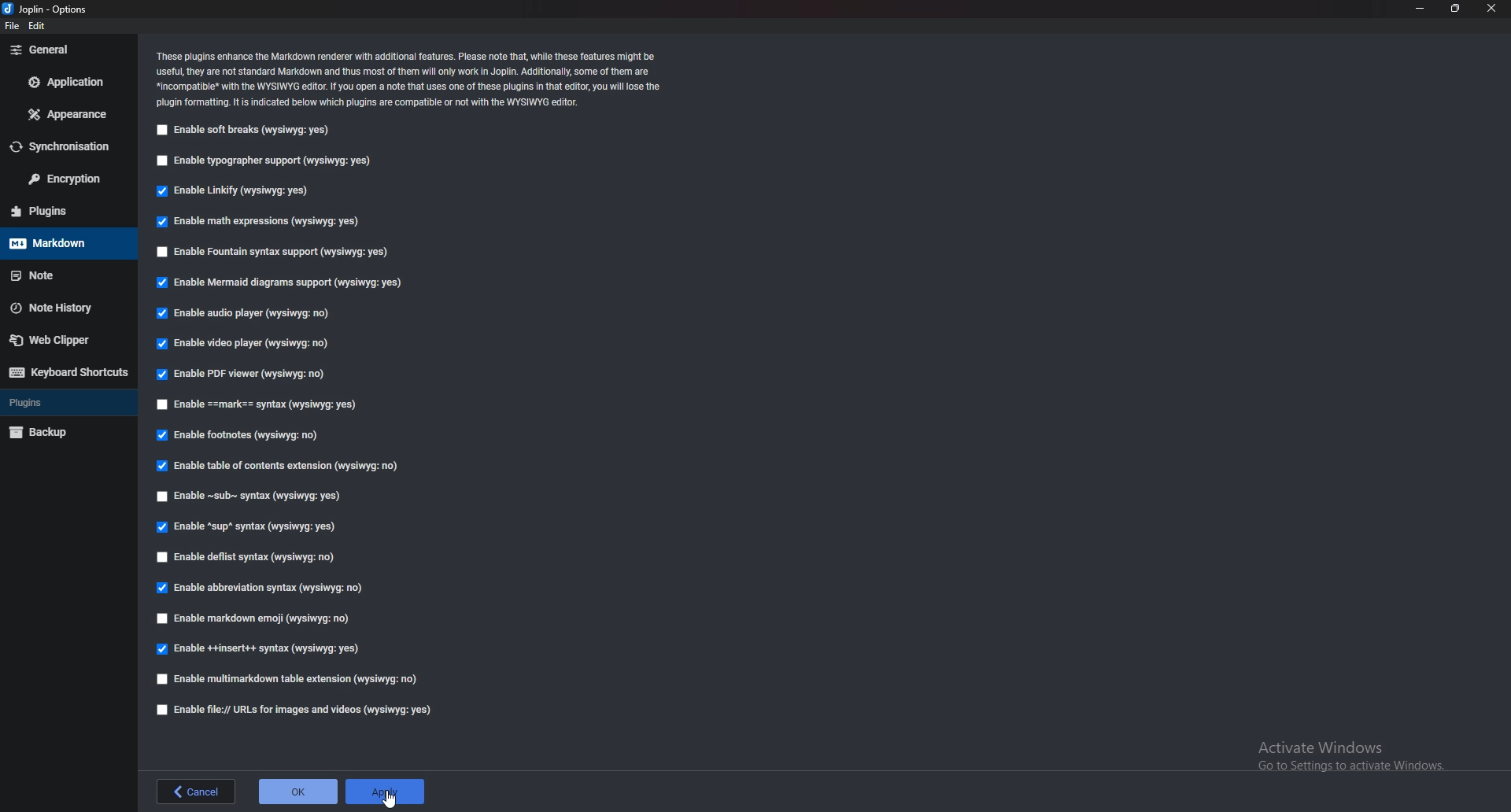  Describe the element at coordinates (1347, 753) in the screenshot. I see `Activate Windows
Go to Settings to activate Windows.` at that location.